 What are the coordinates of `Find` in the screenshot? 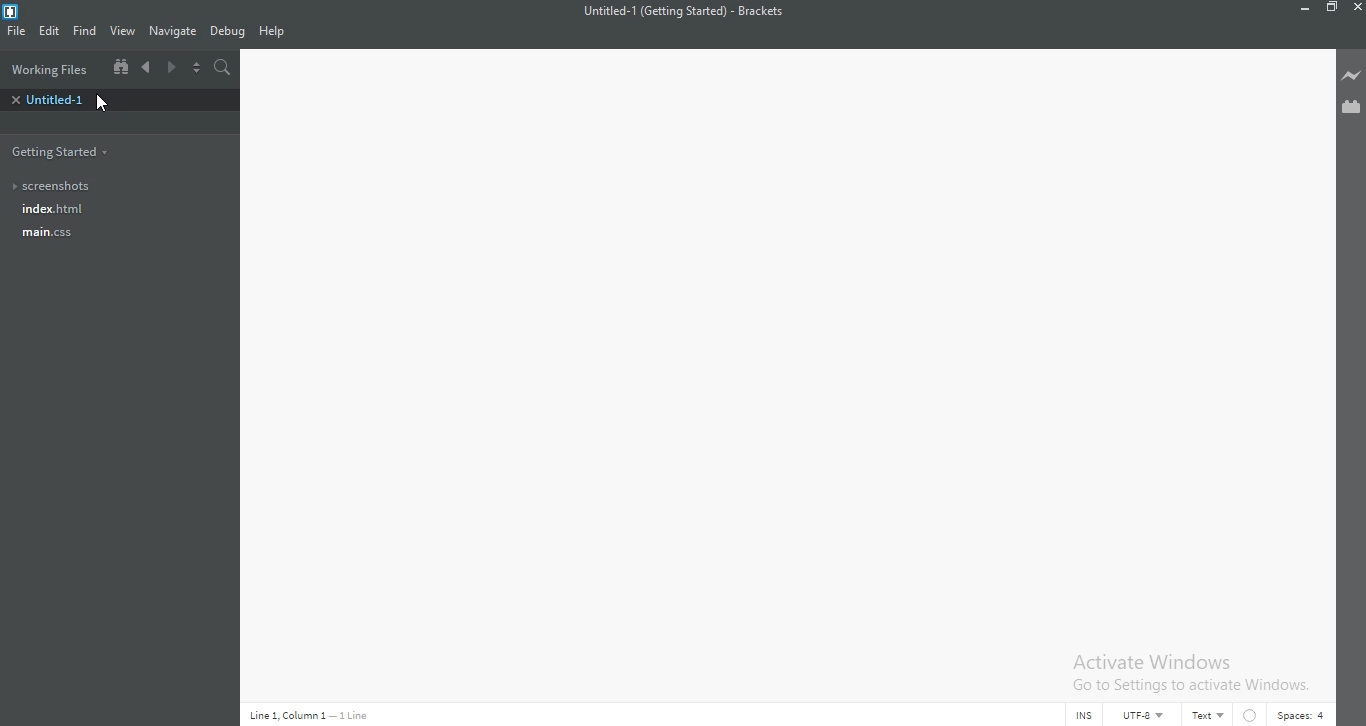 It's located at (85, 32).